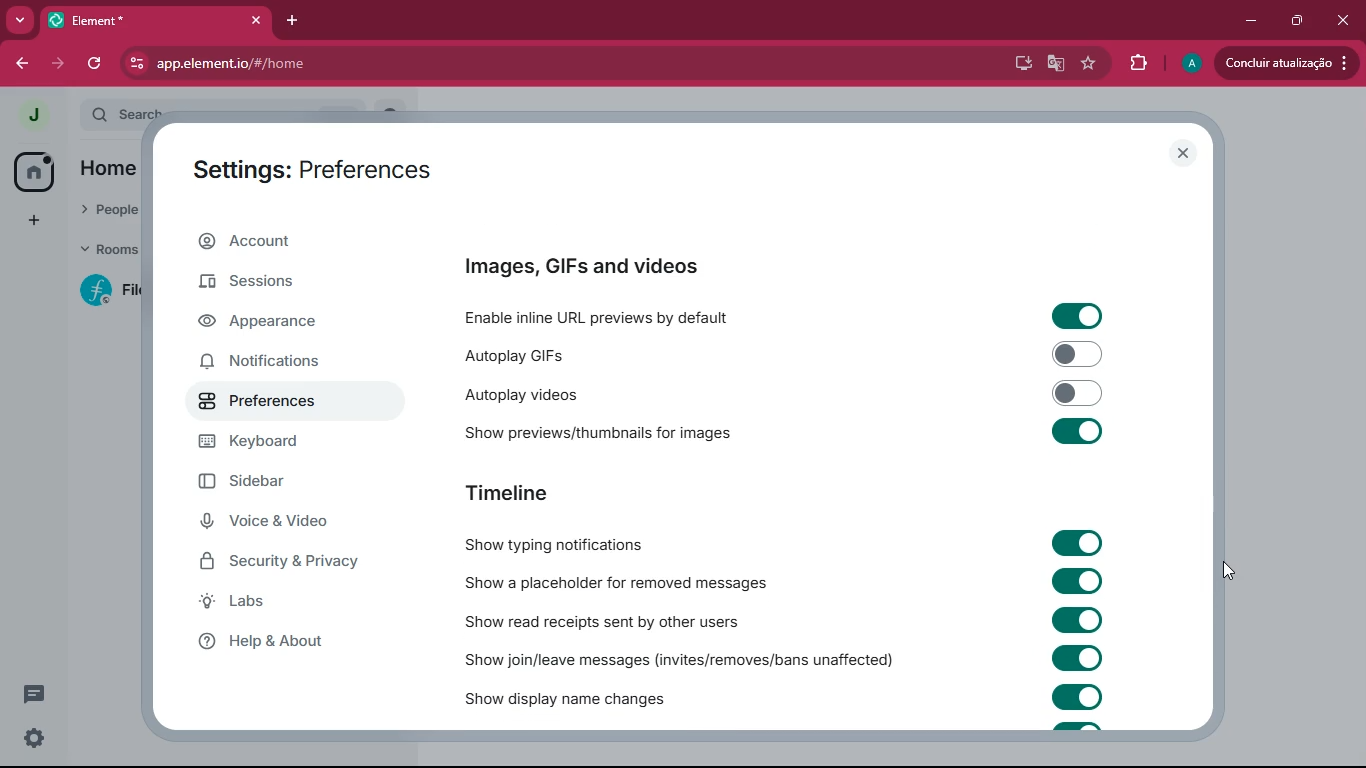 Image resolution: width=1366 pixels, height=768 pixels. What do you see at coordinates (34, 223) in the screenshot?
I see `add` at bounding box center [34, 223].